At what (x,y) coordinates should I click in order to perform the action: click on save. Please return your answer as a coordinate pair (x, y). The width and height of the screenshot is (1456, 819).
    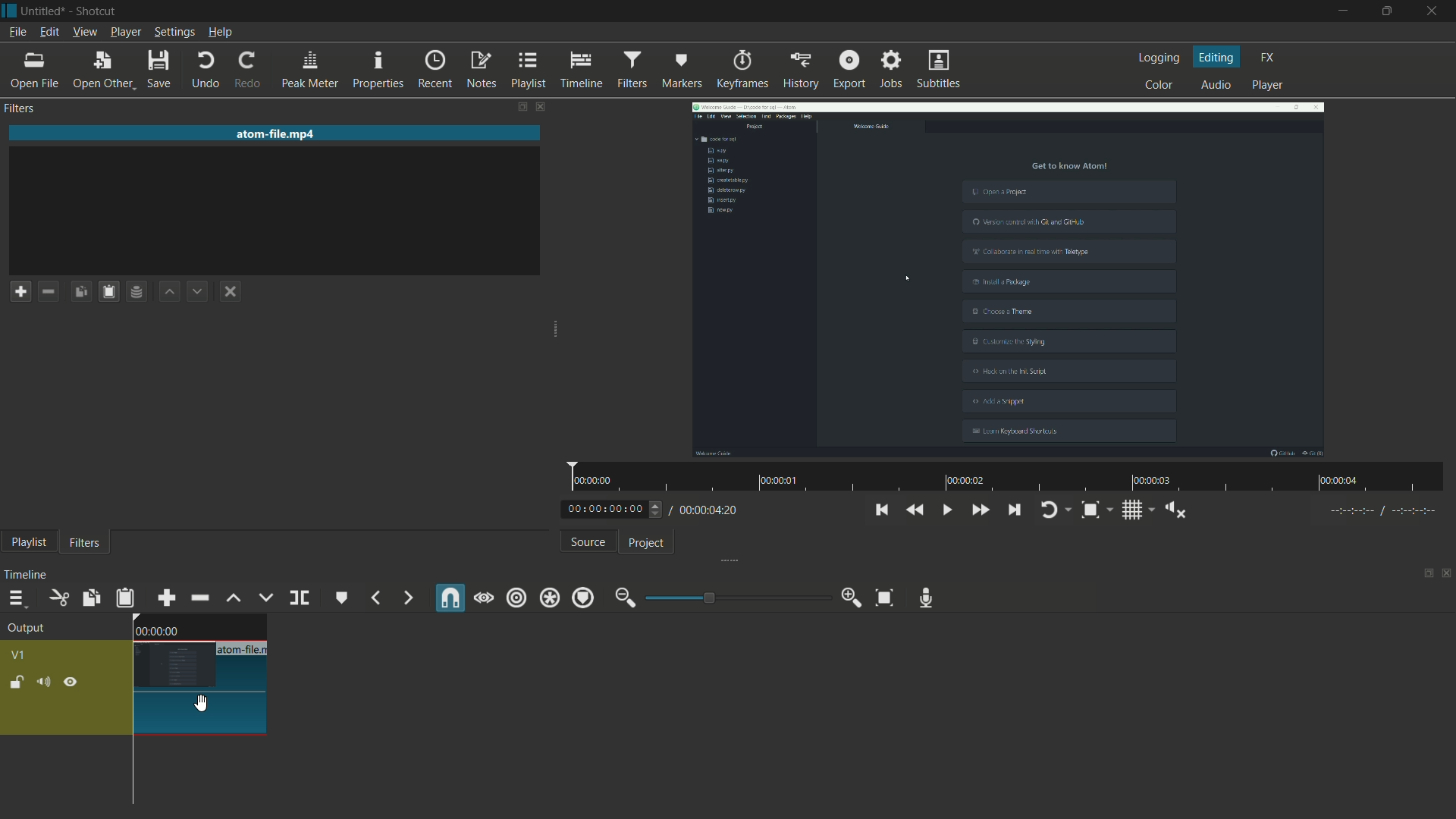
    Looking at the image, I should click on (161, 71).